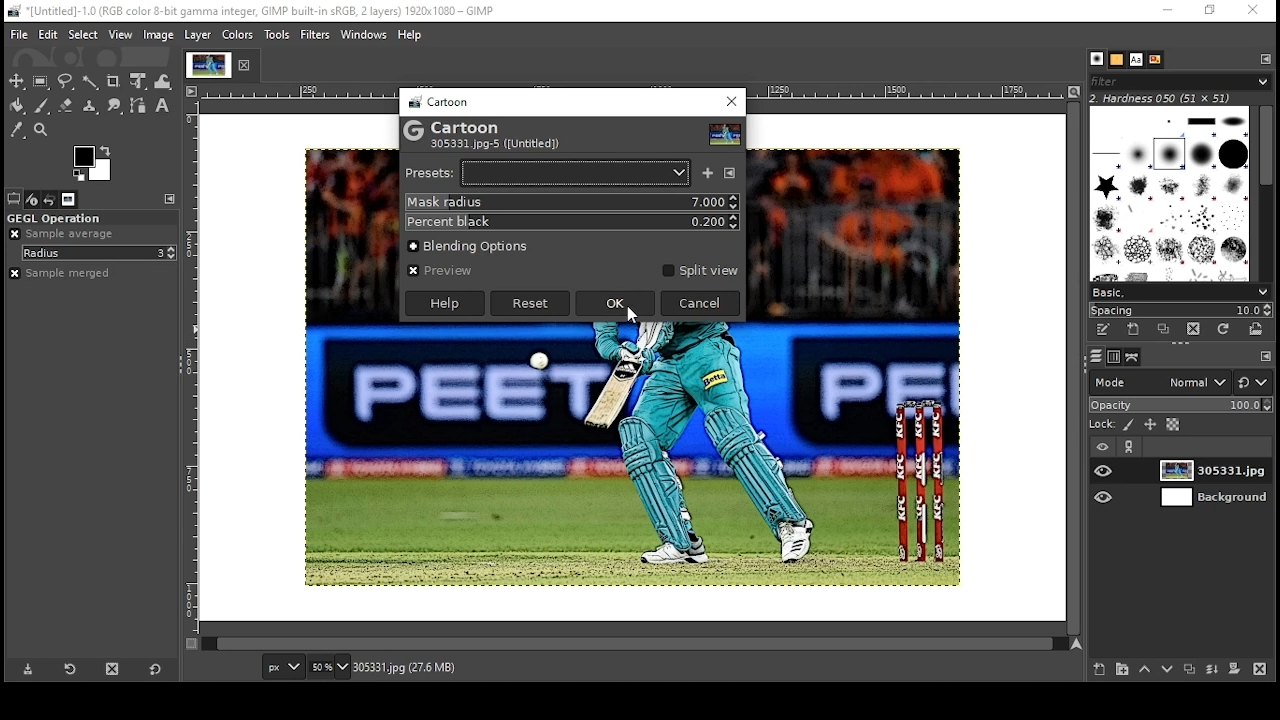 Image resolution: width=1280 pixels, height=720 pixels. What do you see at coordinates (730, 173) in the screenshot?
I see `configure this tab` at bounding box center [730, 173].